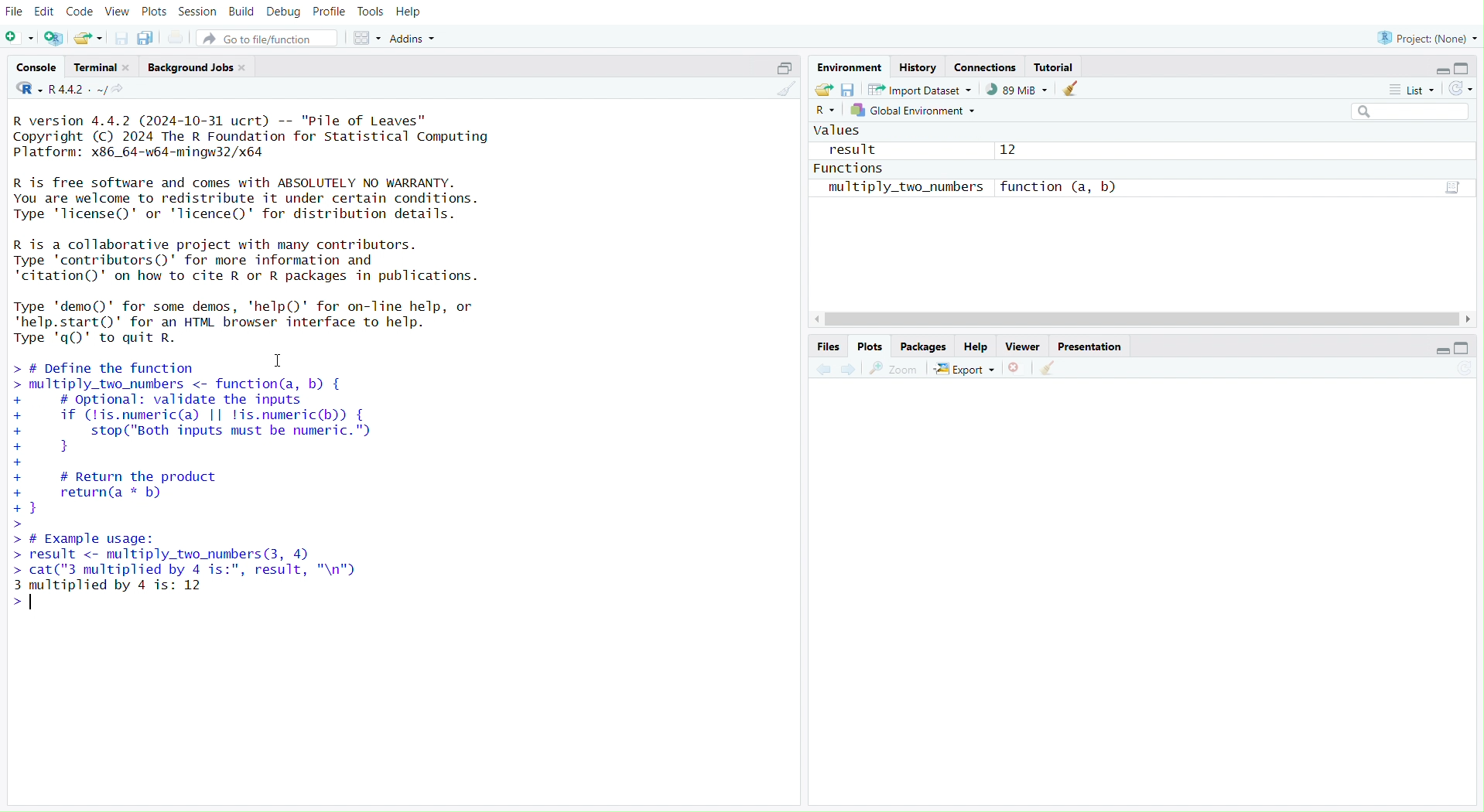  What do you see at coordinates (152, 12) in the screenshot?
I see `Plots` at bounding box center [152, 12].